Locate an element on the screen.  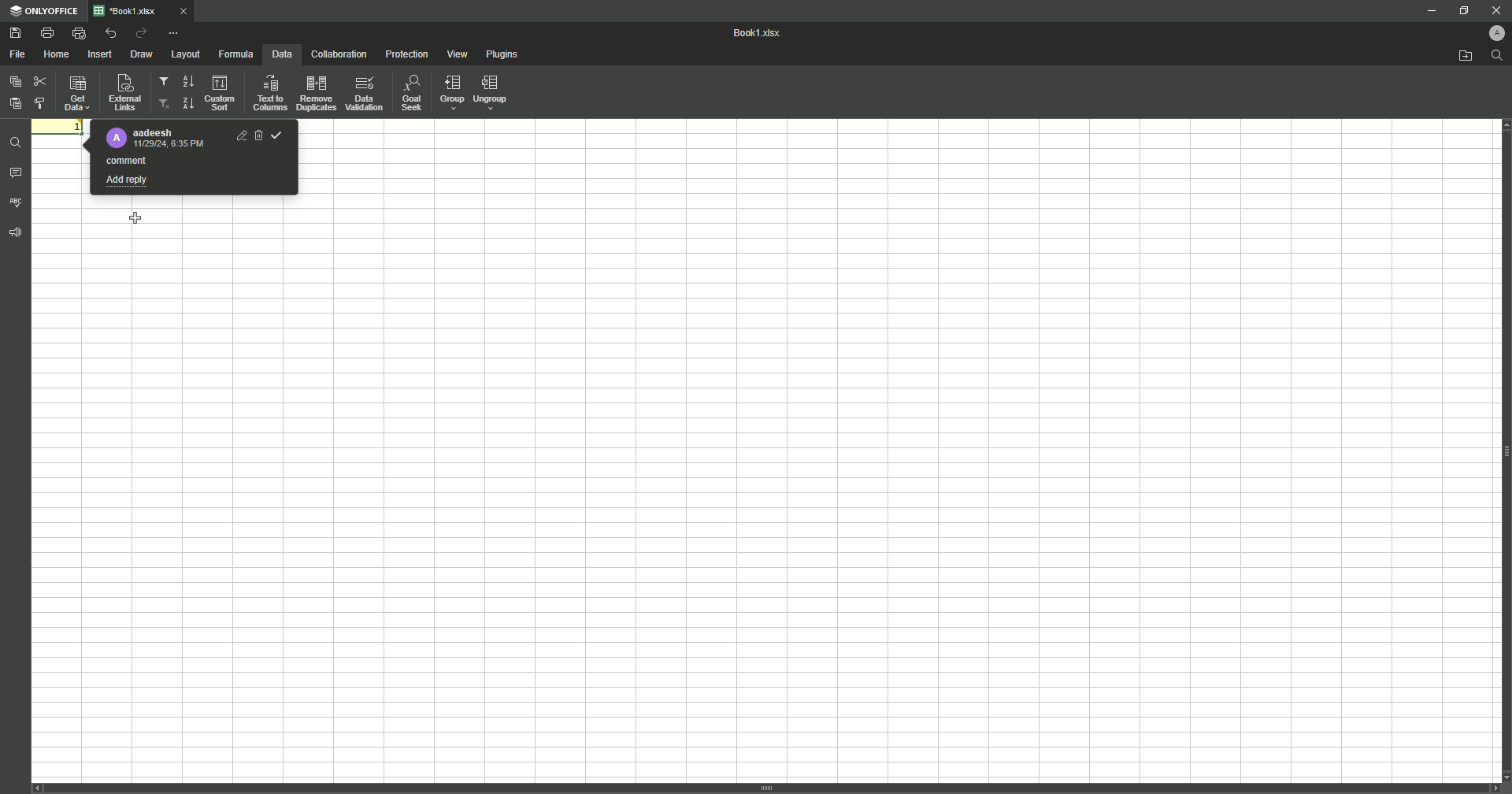
Tab 1 is located at coordinates (149, 11).